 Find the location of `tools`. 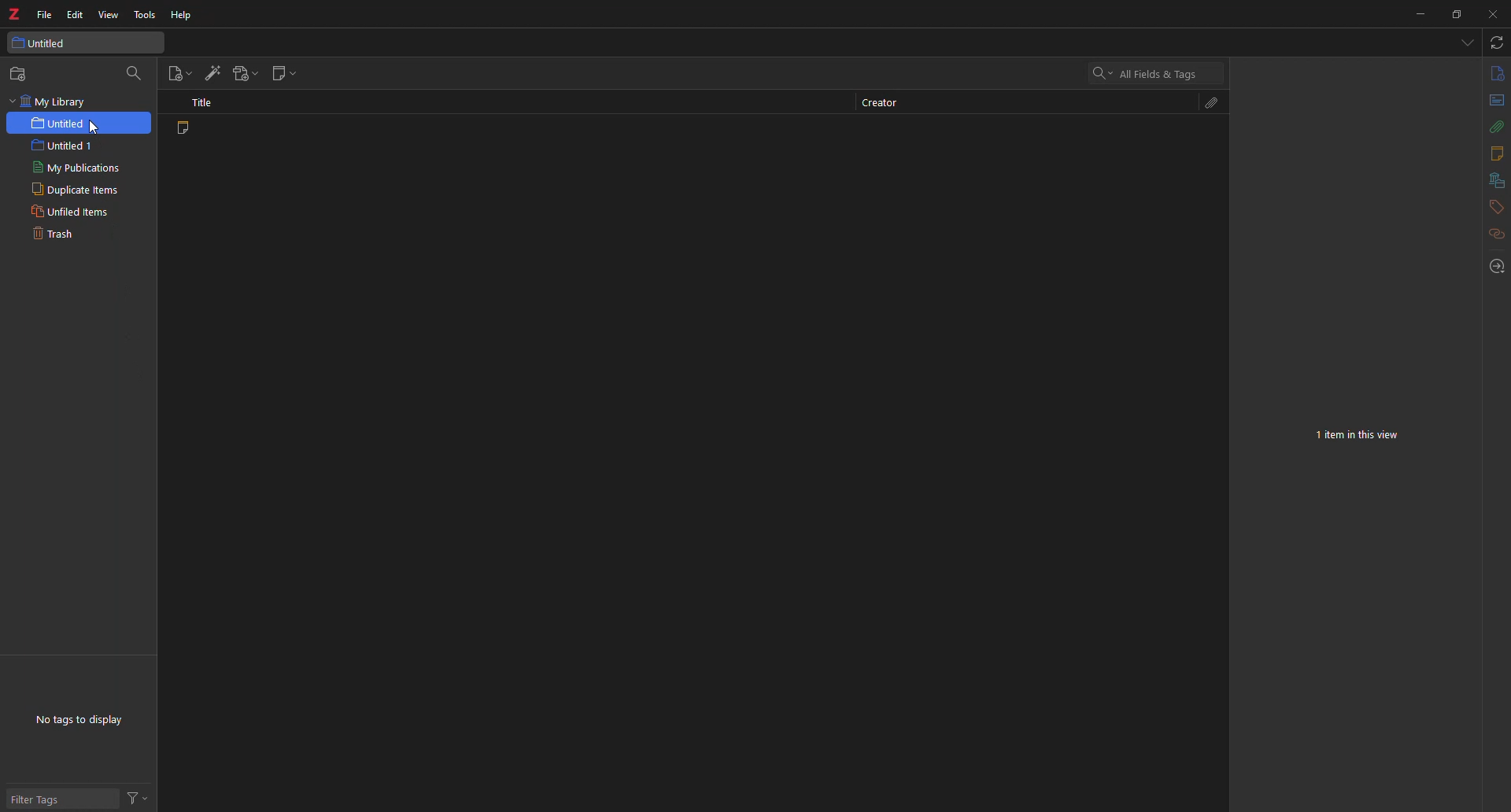

tools is located at coordinates (146, 16).